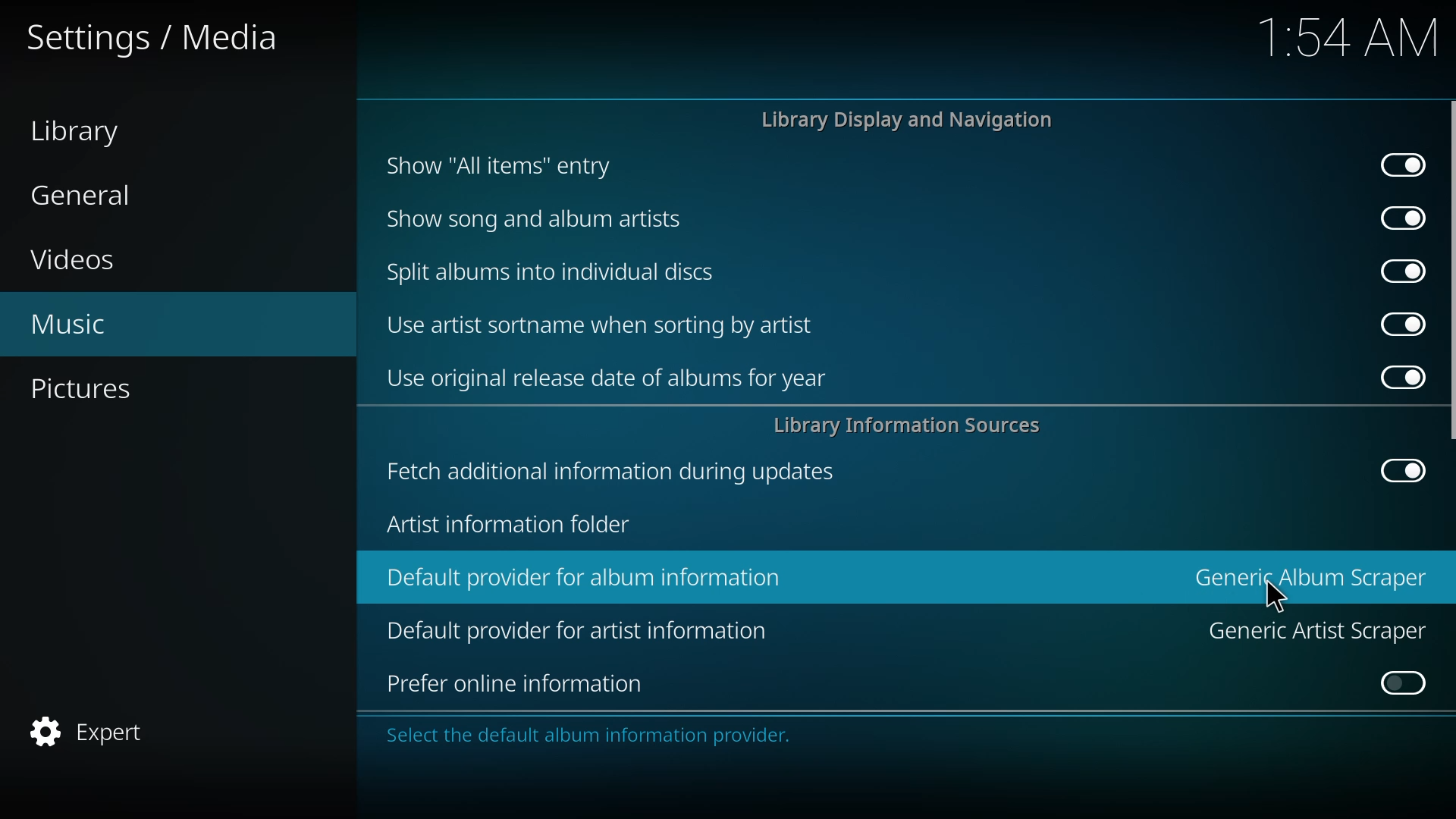 The width and height of the screenshot is (1456, 819). What do you see at coordinates (1393, 378) in the screenshot?
I see `enabled` at bounding box center [1393, 378].